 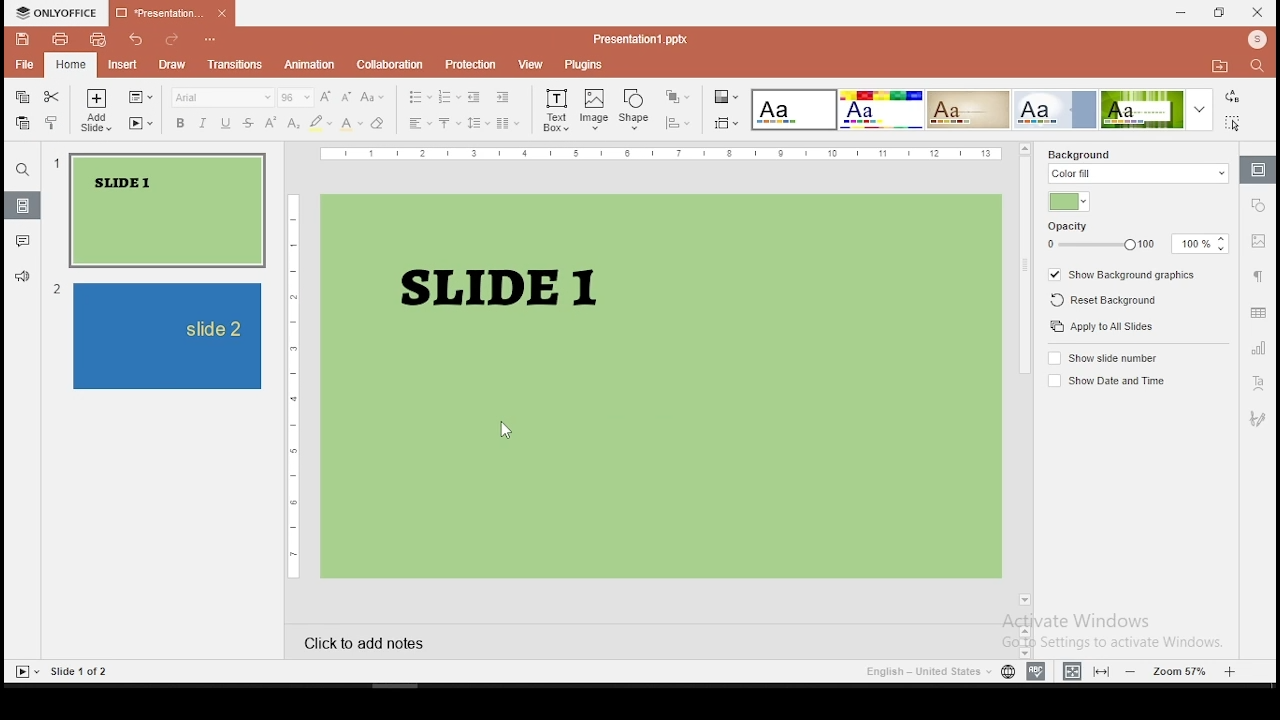 I want to click on copy, so click(x=22, y=95).